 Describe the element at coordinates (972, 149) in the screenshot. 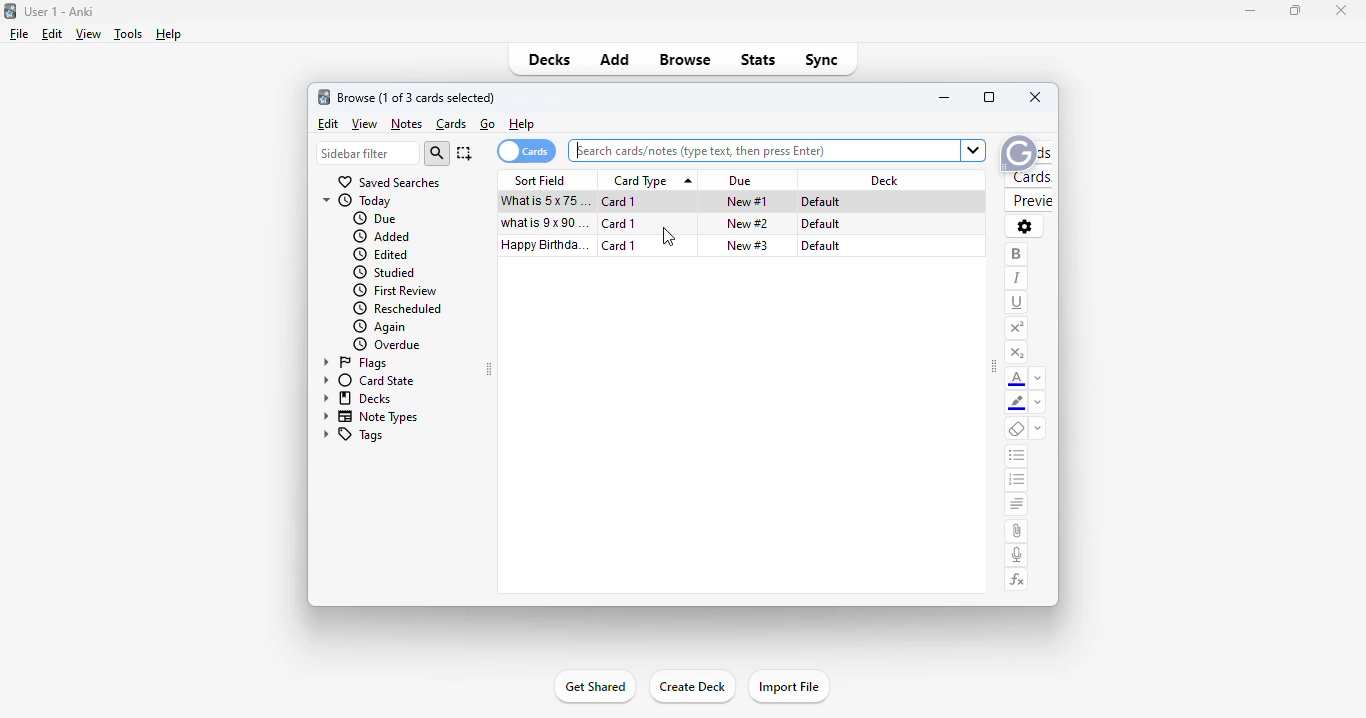

I see `Dropdown` at that location.